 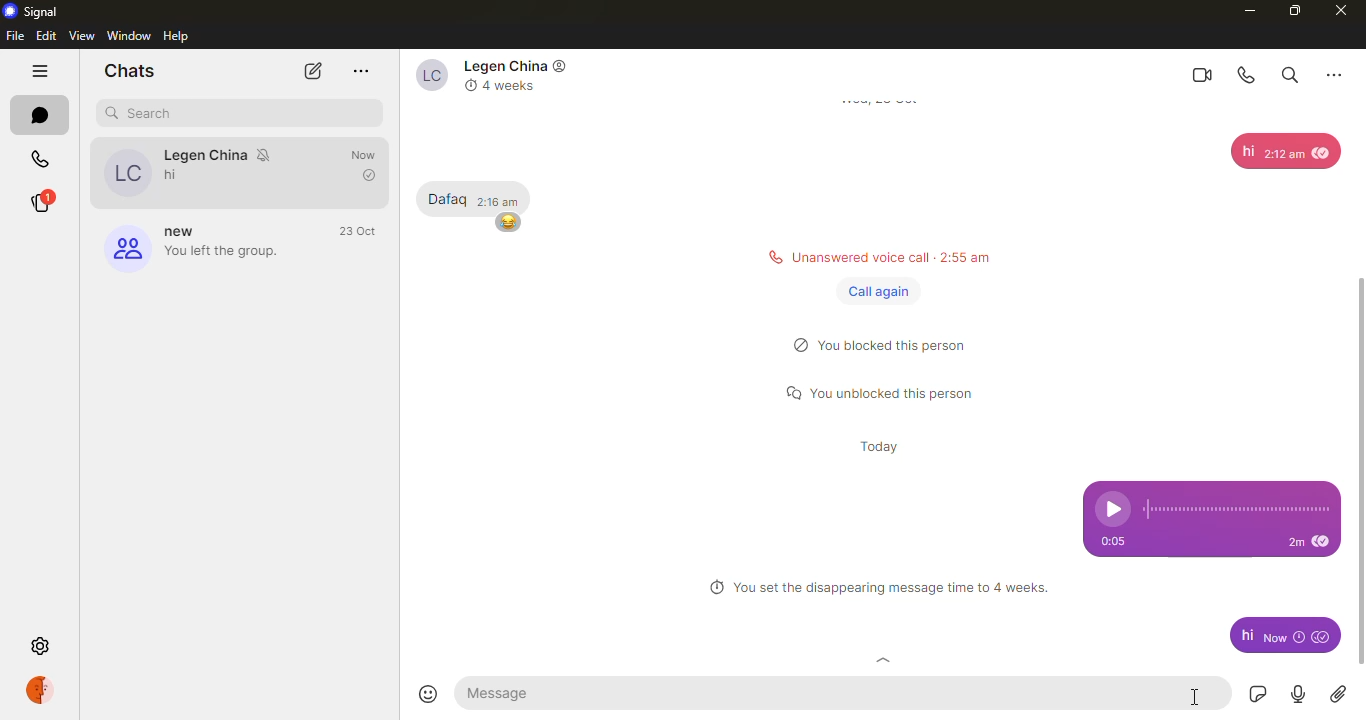 What do you see at coordinates (884, 662) in the screenshot?
I see `expand` at bounding box center [884, 662].